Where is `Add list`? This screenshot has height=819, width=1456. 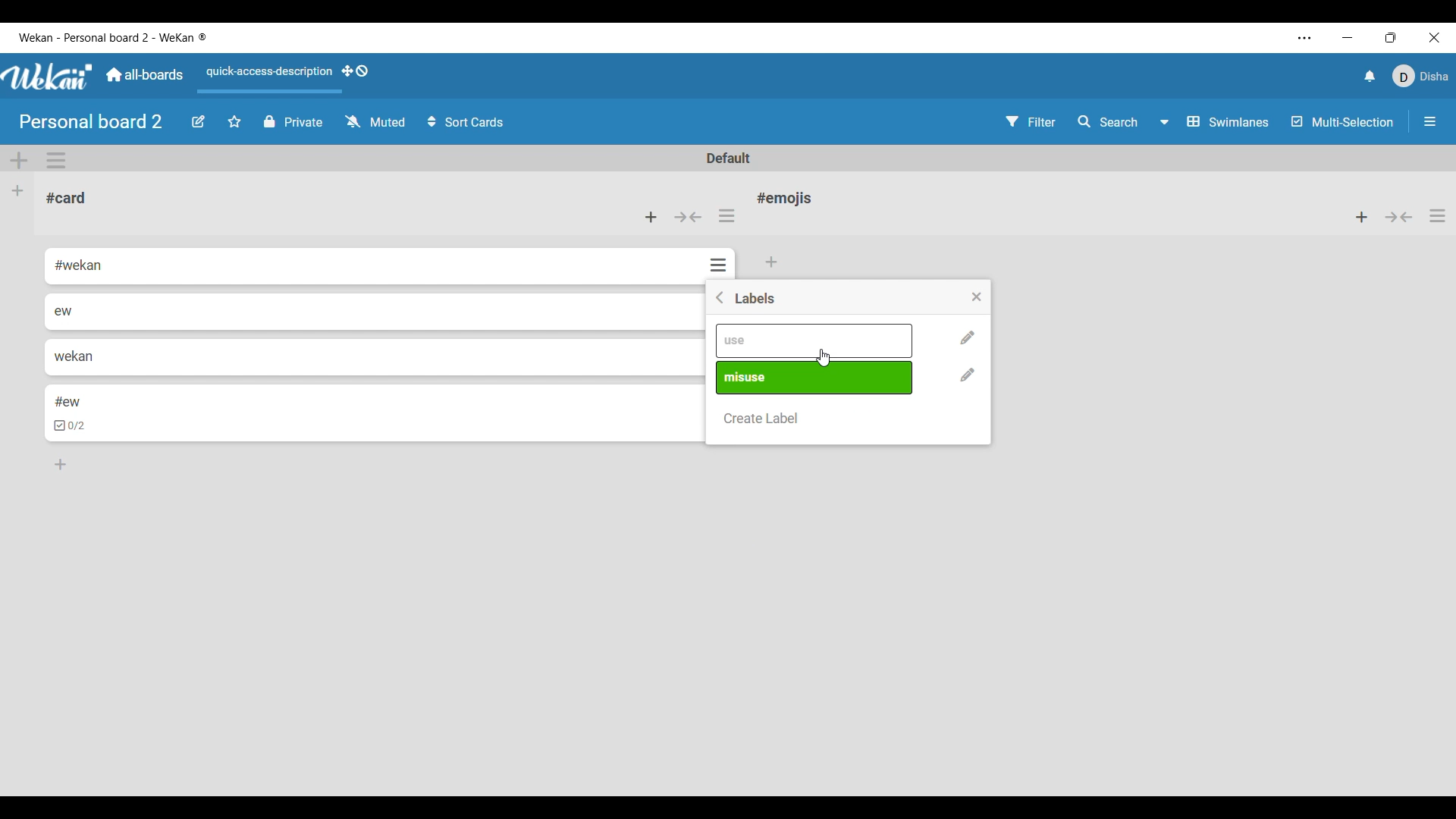 Add list is located at coordinates (17, 191).